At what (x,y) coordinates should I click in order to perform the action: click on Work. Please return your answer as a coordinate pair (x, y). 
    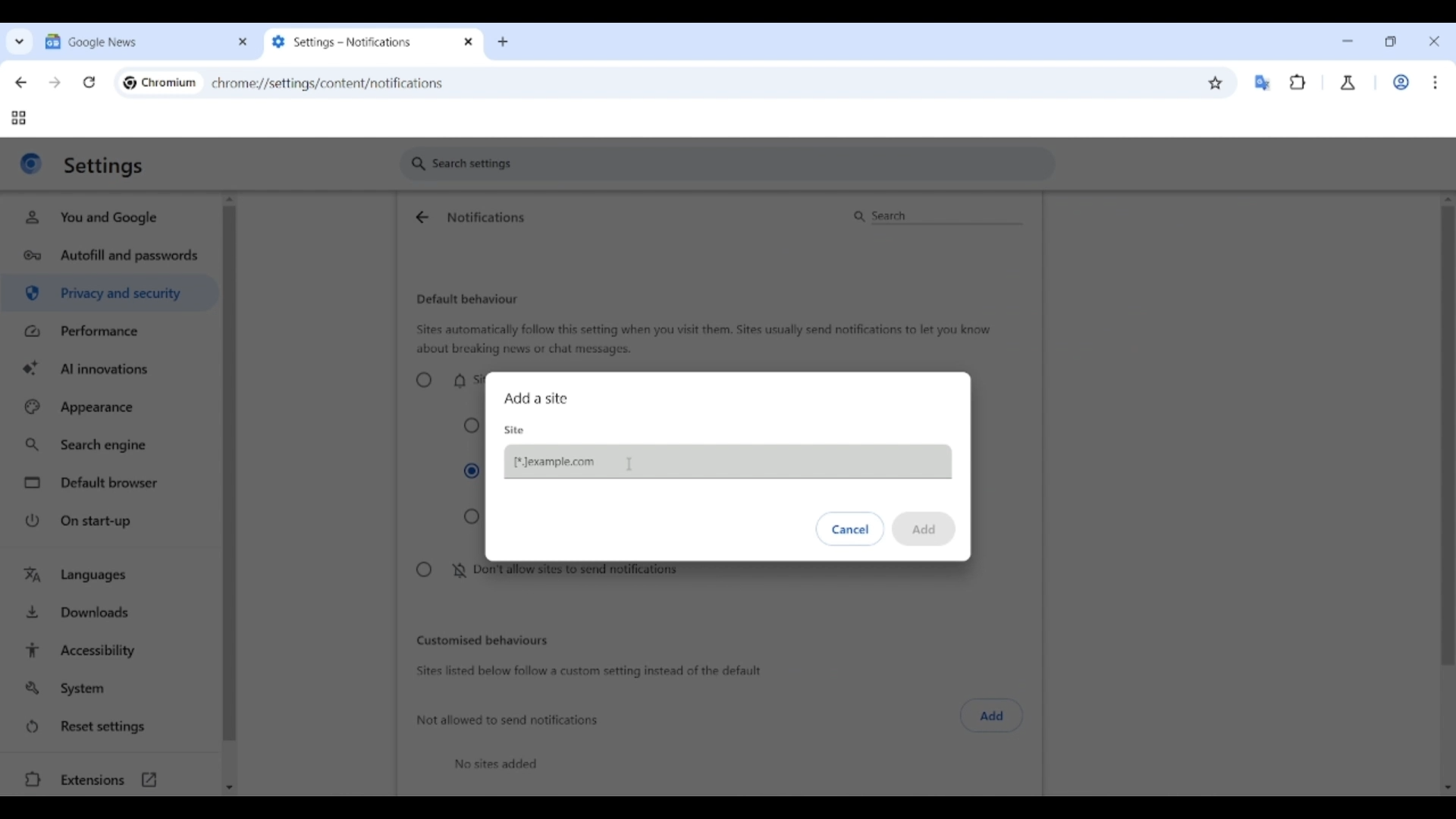
    Looking at the image, I should click on (1401, 82).